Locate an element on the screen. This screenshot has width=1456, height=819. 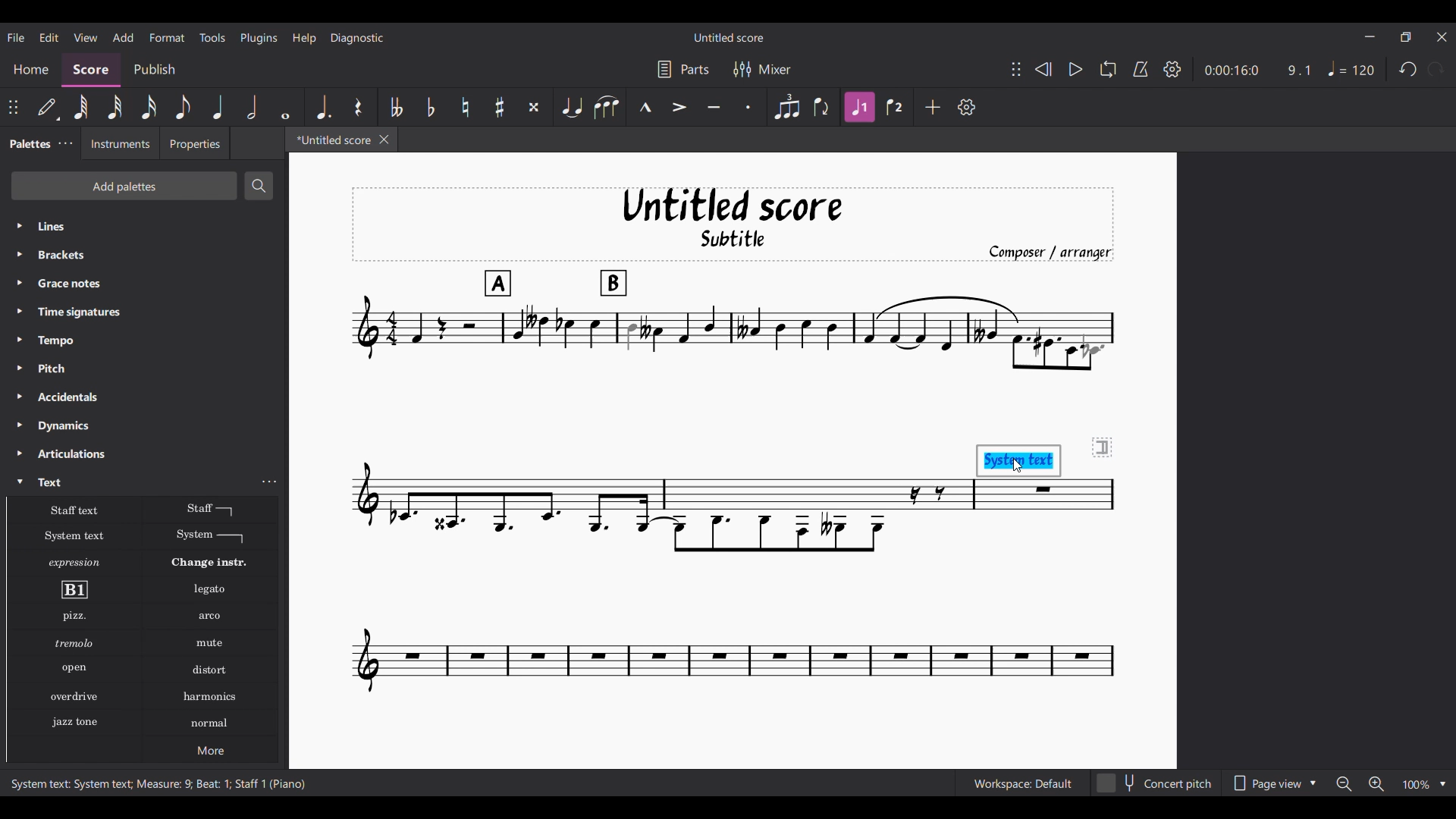
Toggle flat is located at coordinates (431, 107).